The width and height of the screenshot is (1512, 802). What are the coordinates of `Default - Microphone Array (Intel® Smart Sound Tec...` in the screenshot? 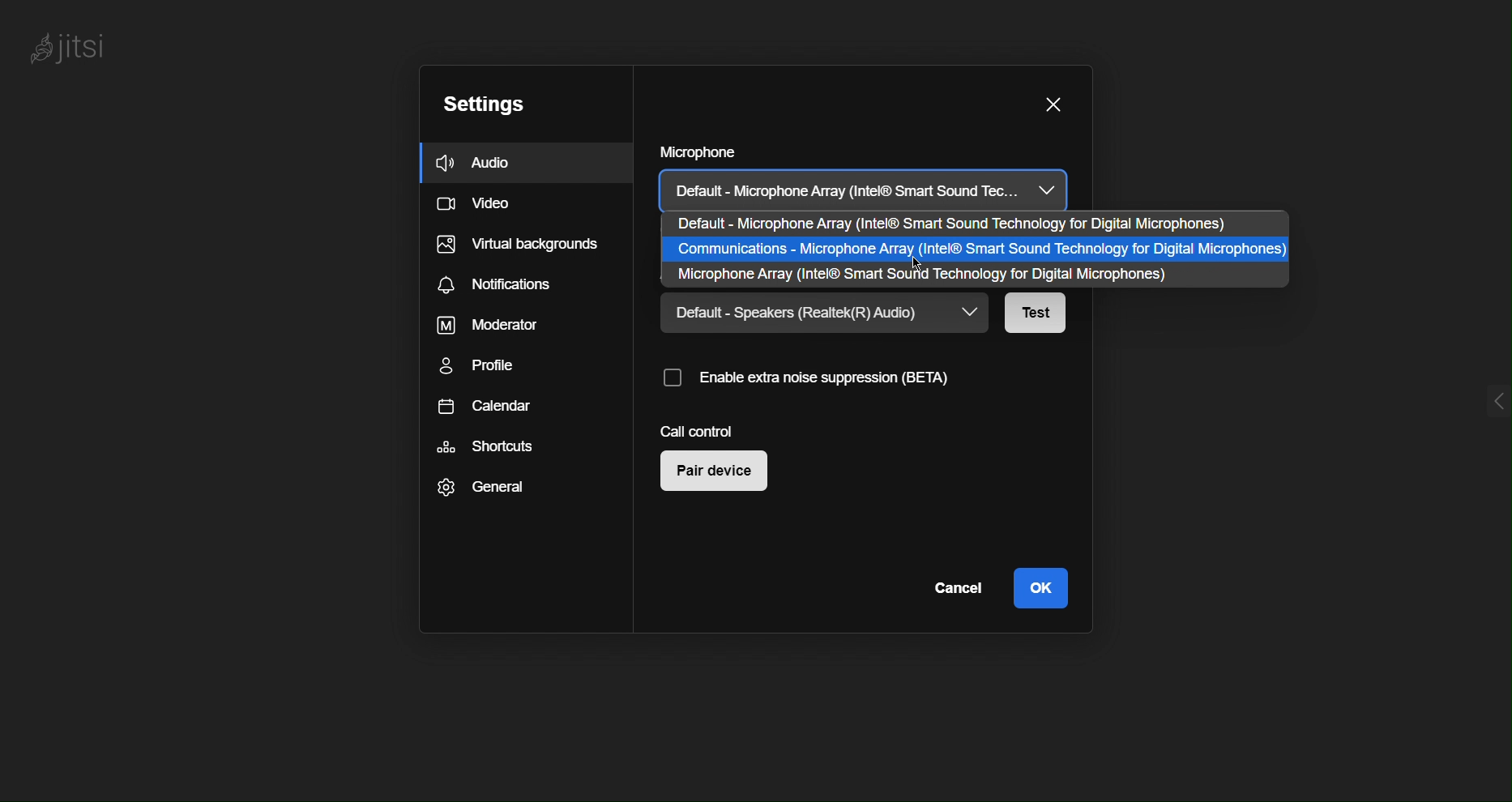 It's located at (865, 190).